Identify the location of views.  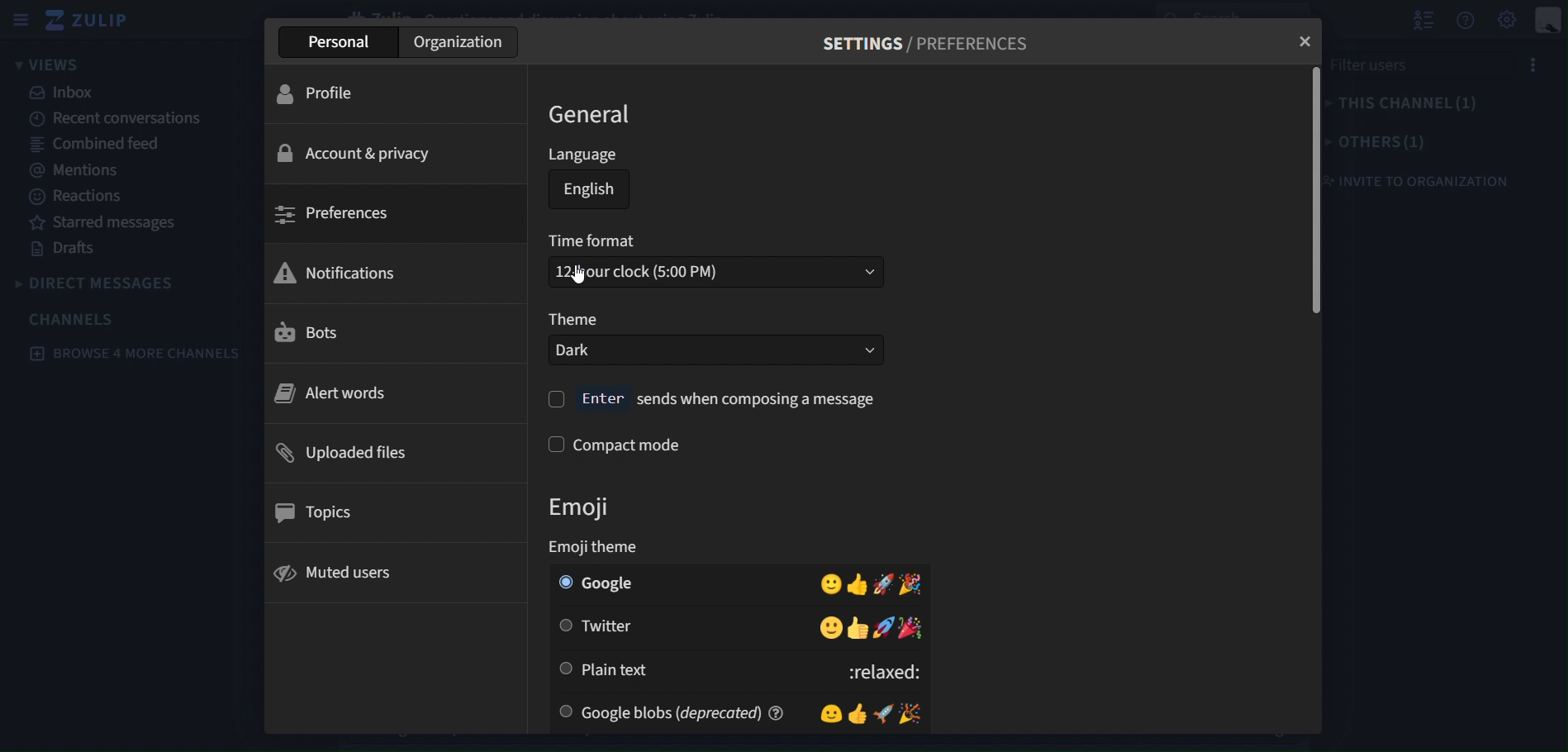
(48, 63).